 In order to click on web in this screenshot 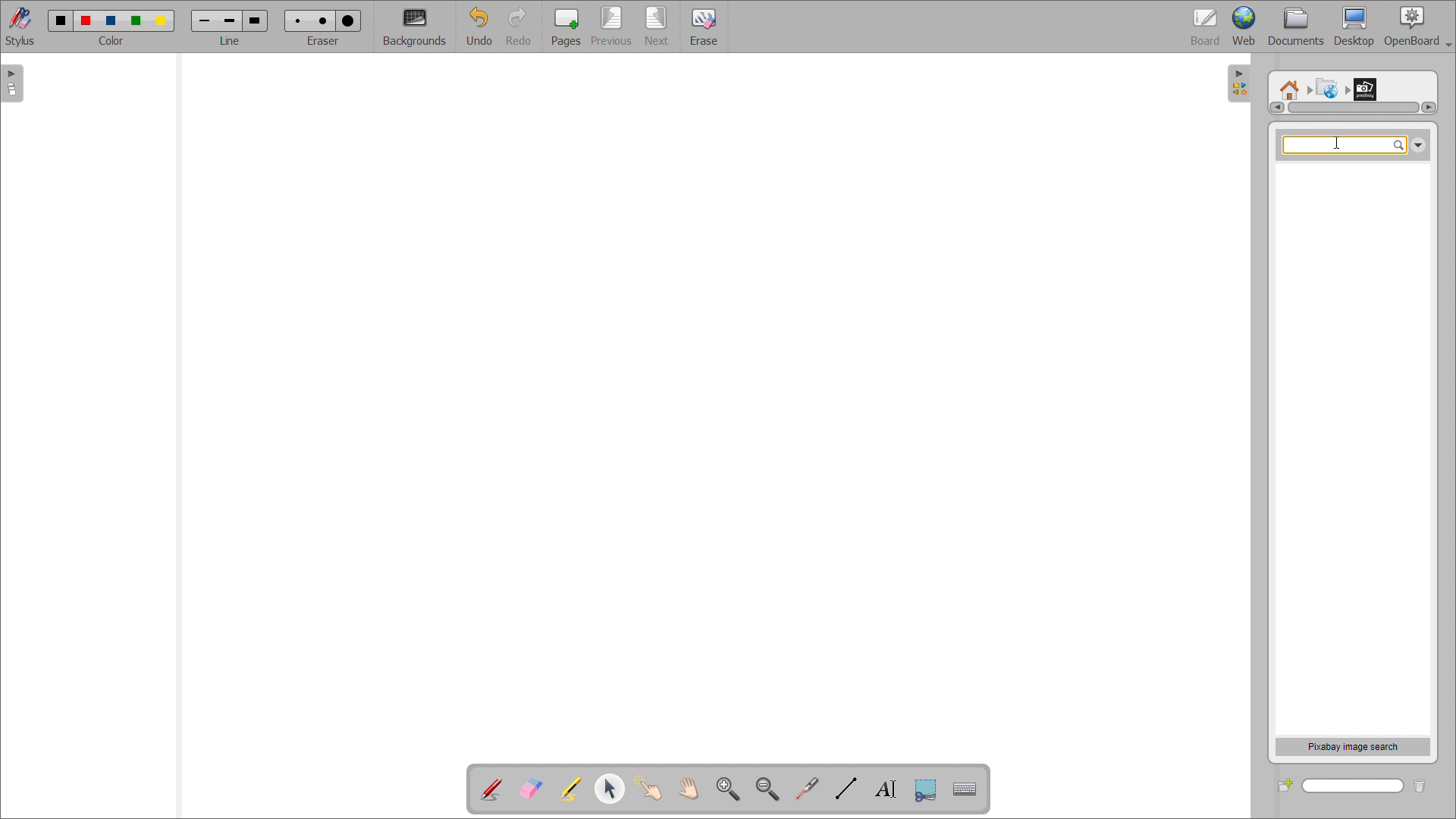, I will do `click(1244, 27)`.